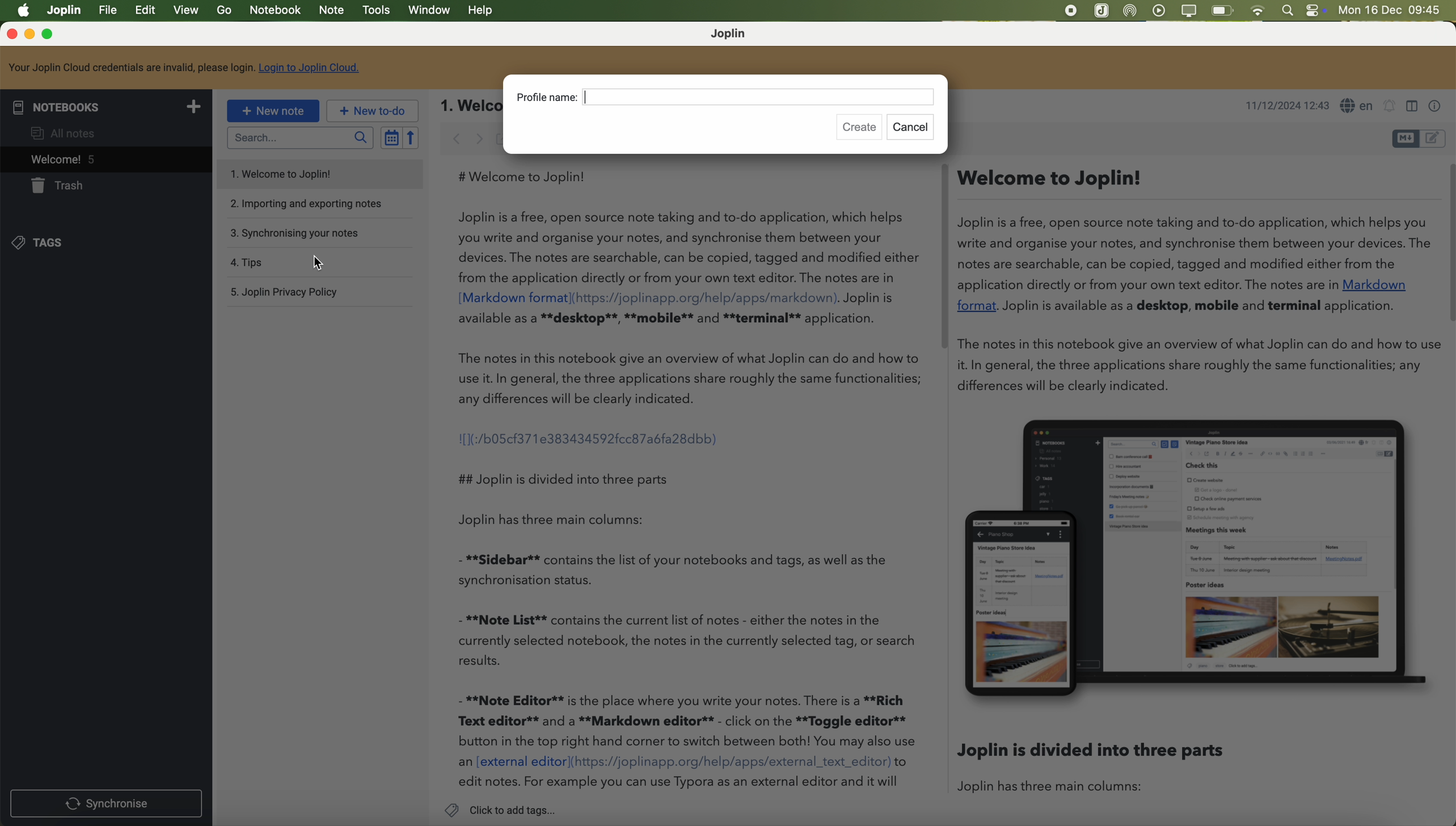  What do you see at coordinates (670, 319) in the screenshot?
I see `available as a **desktop**, **mobile** and **terminal** application.` at bounding box center [670, 319].